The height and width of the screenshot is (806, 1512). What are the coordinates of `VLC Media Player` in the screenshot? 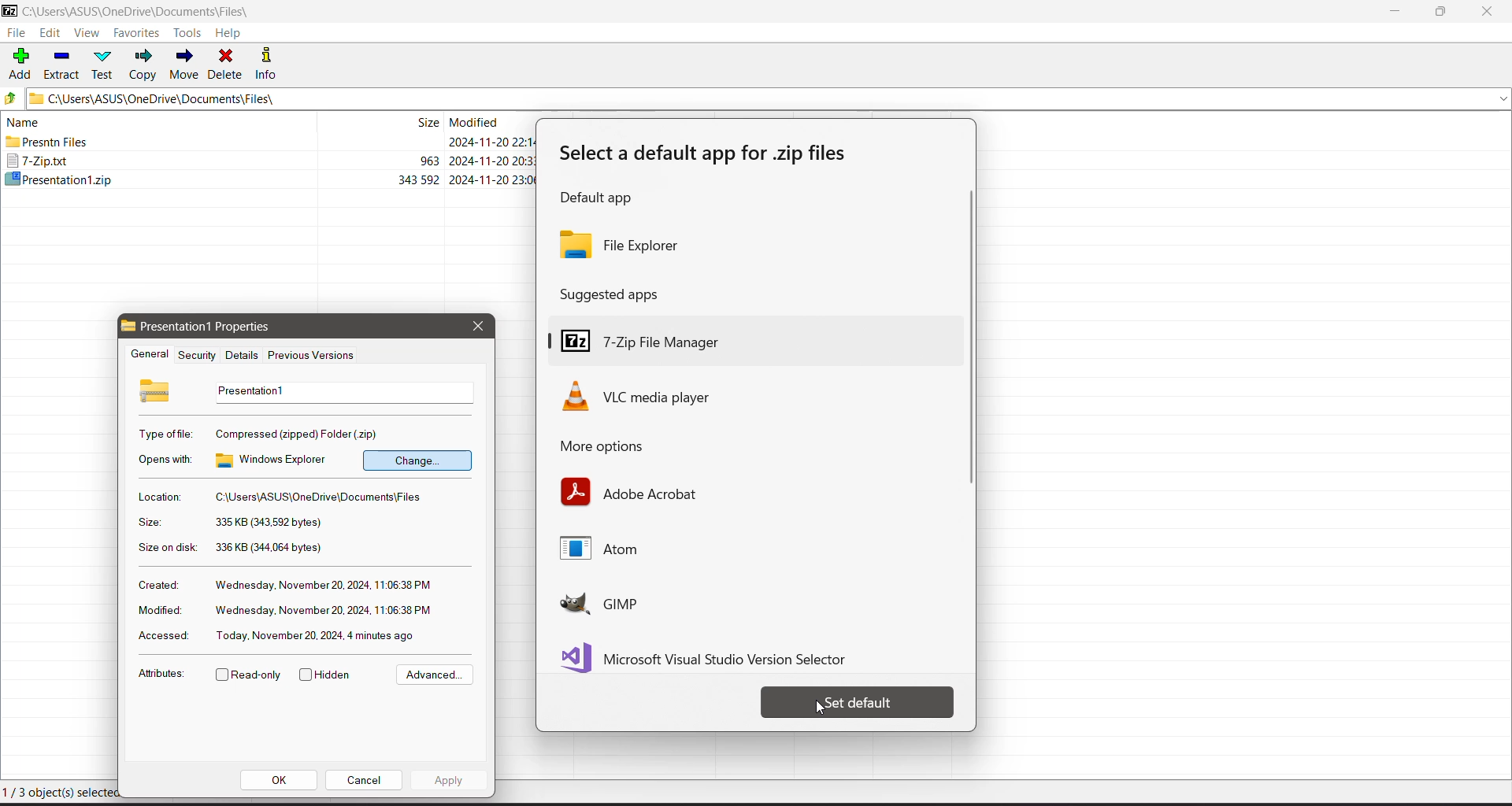 It's located at (661, 396).